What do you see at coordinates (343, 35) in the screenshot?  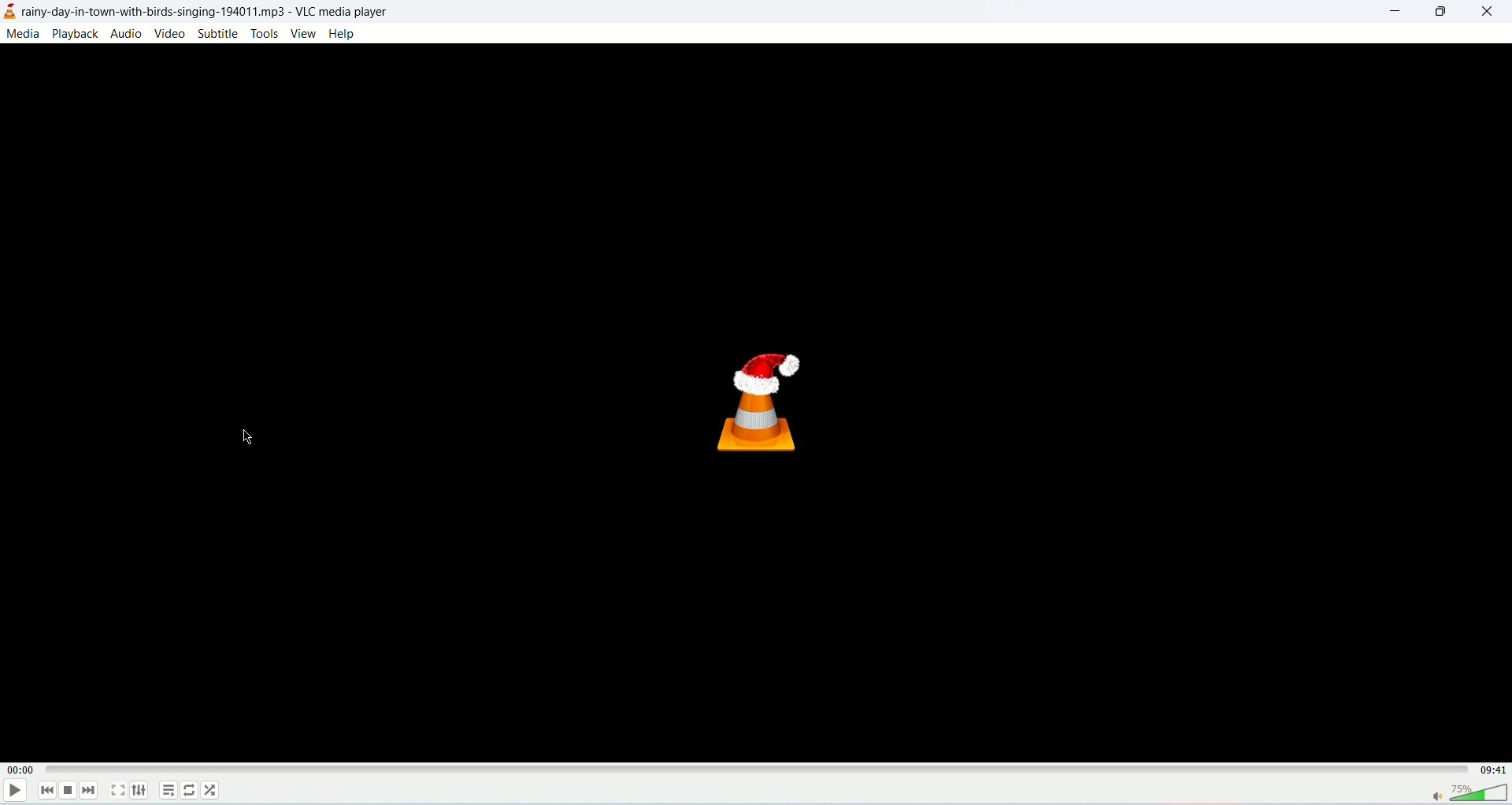 I see `help` at bounding box center [343, 35].